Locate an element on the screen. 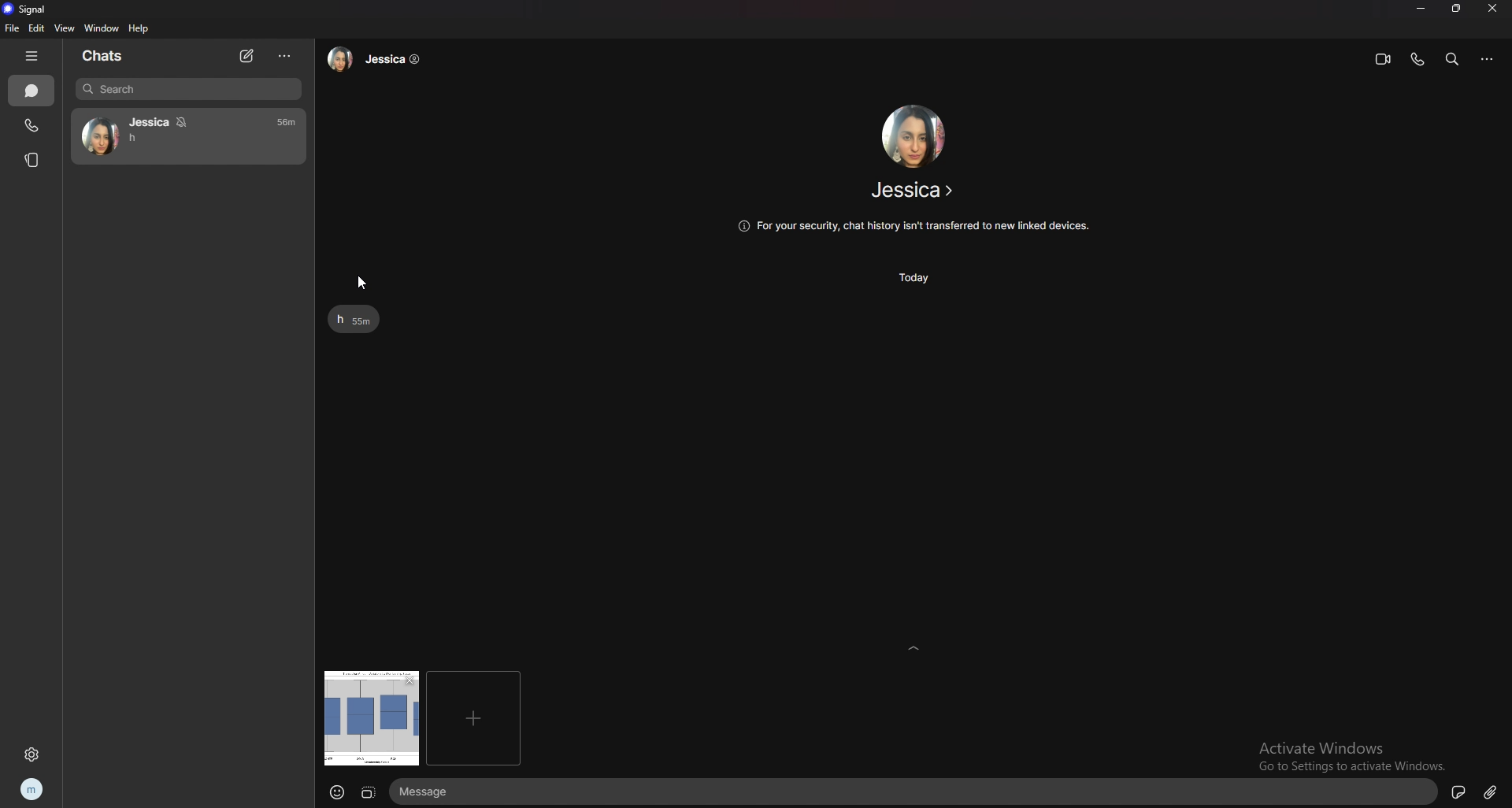  contact is located at coordinates (914, 190).